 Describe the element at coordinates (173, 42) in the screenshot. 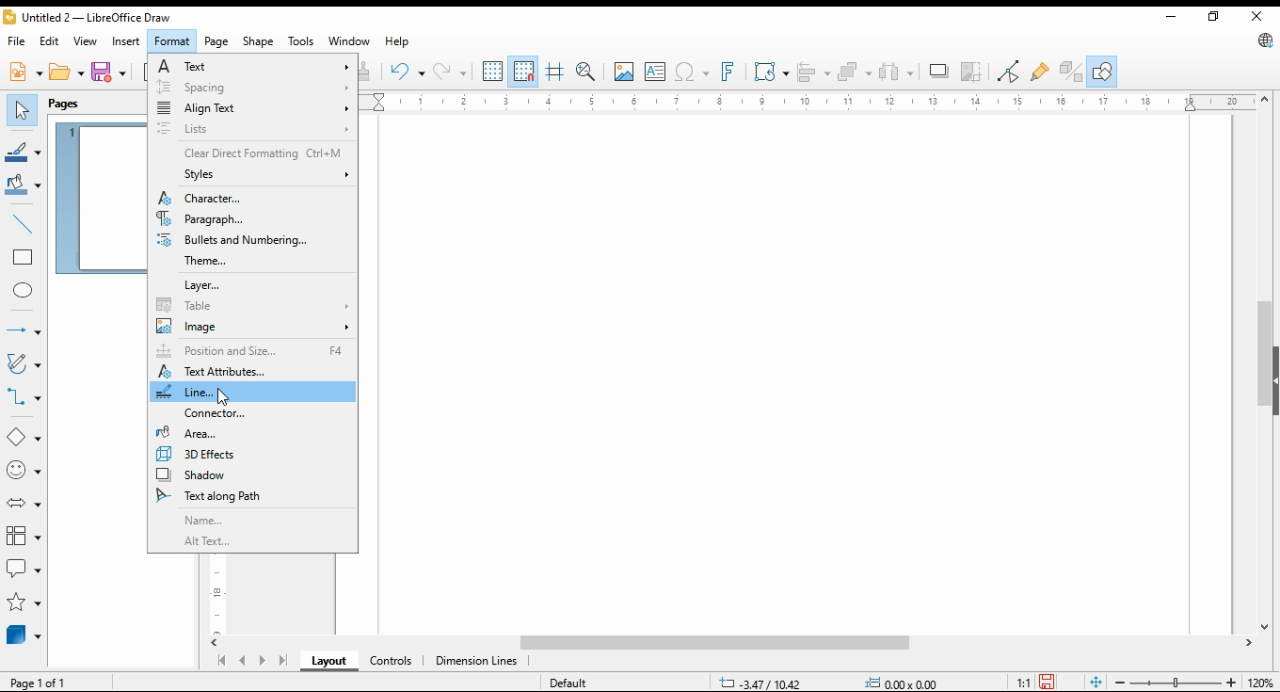

I see `format` at that location.